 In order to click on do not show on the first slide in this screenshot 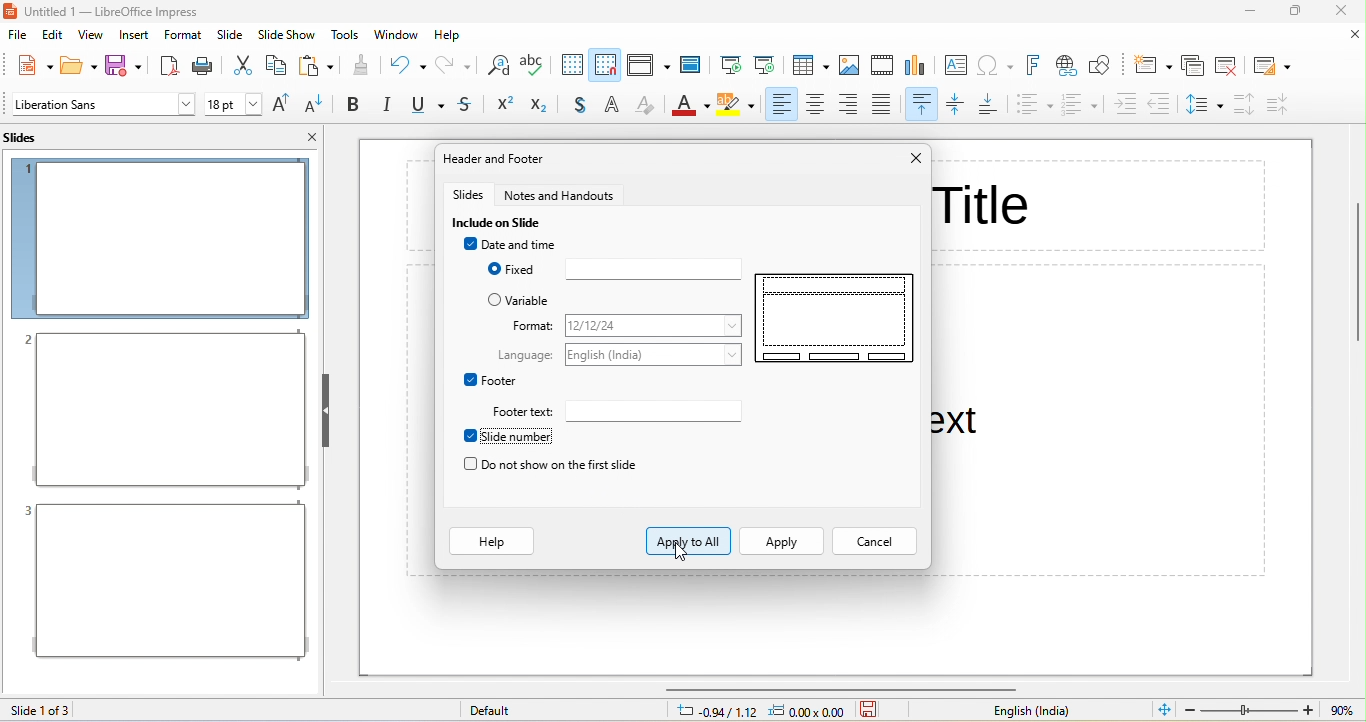, I will do `click(561, 465)`.